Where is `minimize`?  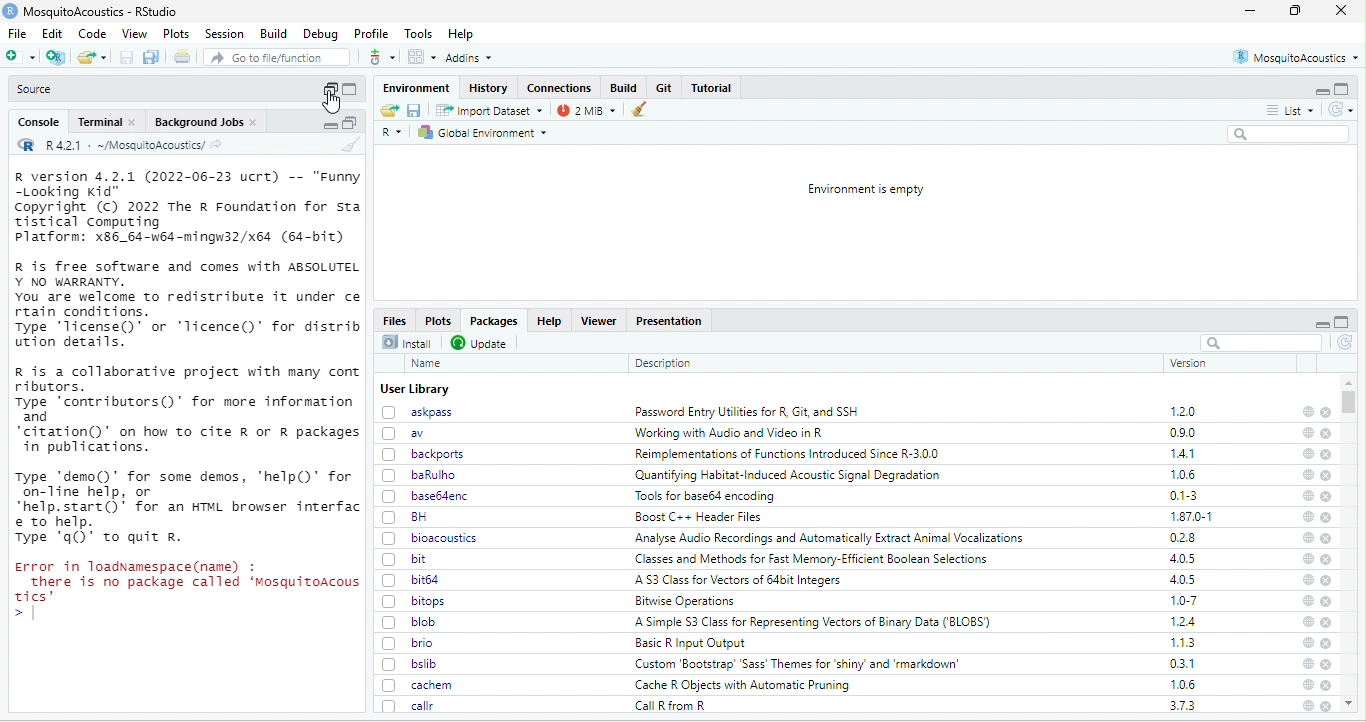 minimize is located at coordinates (1250, 10).